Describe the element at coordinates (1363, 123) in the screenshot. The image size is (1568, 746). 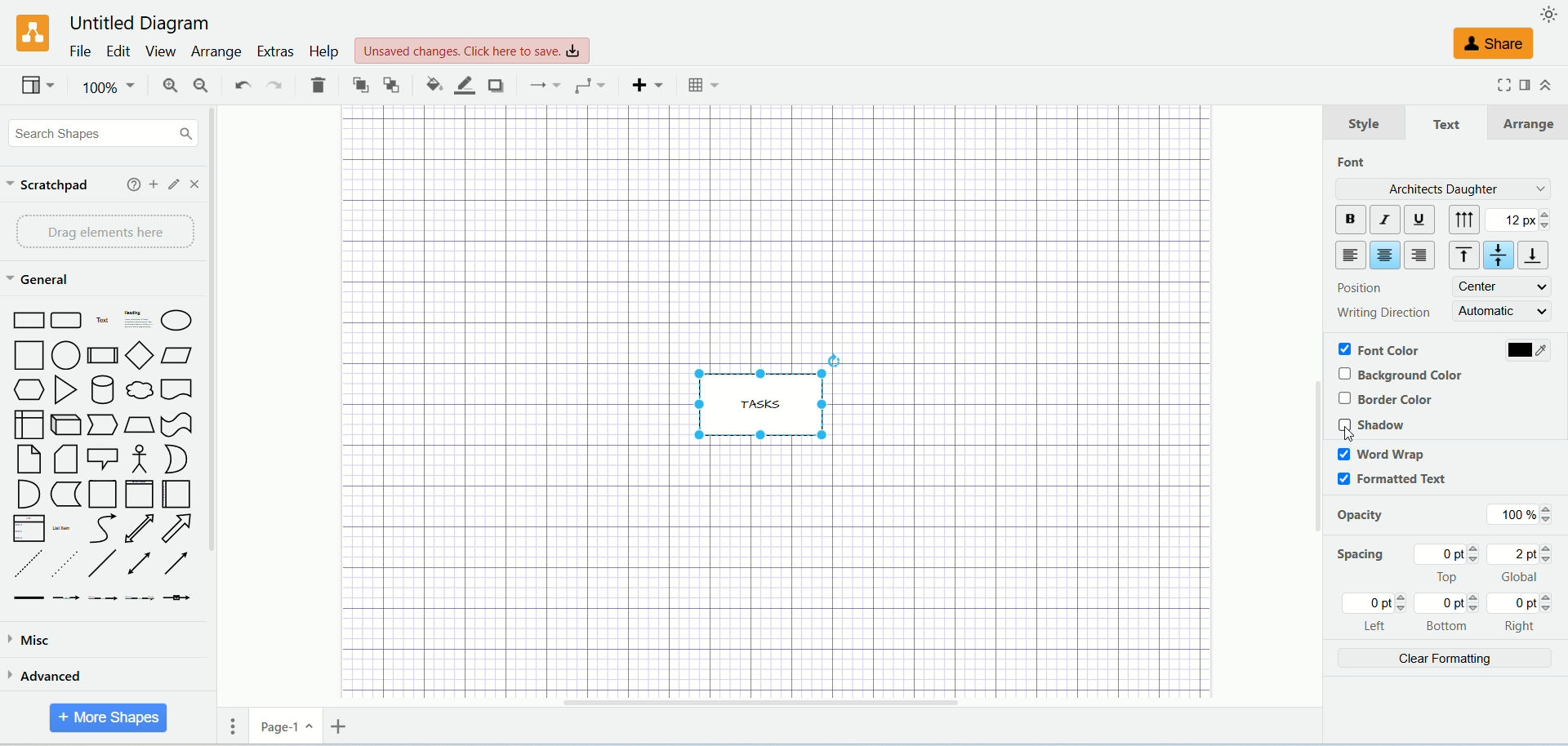
I see `style` at that location.